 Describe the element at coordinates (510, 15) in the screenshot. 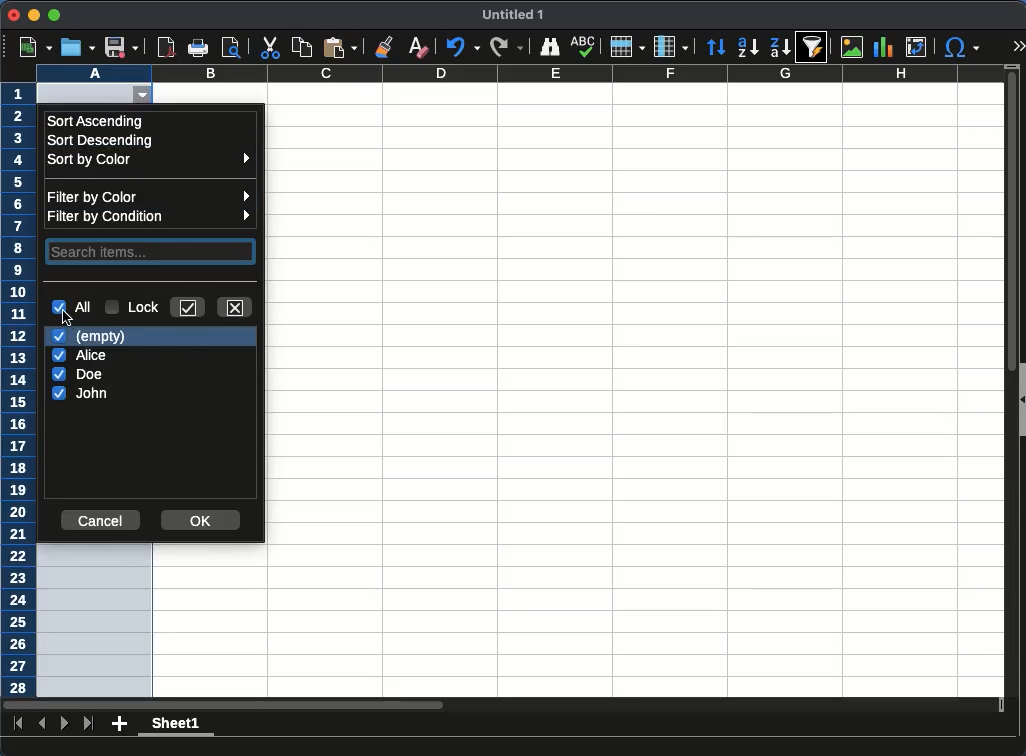

I see `untitled 1` at that location.